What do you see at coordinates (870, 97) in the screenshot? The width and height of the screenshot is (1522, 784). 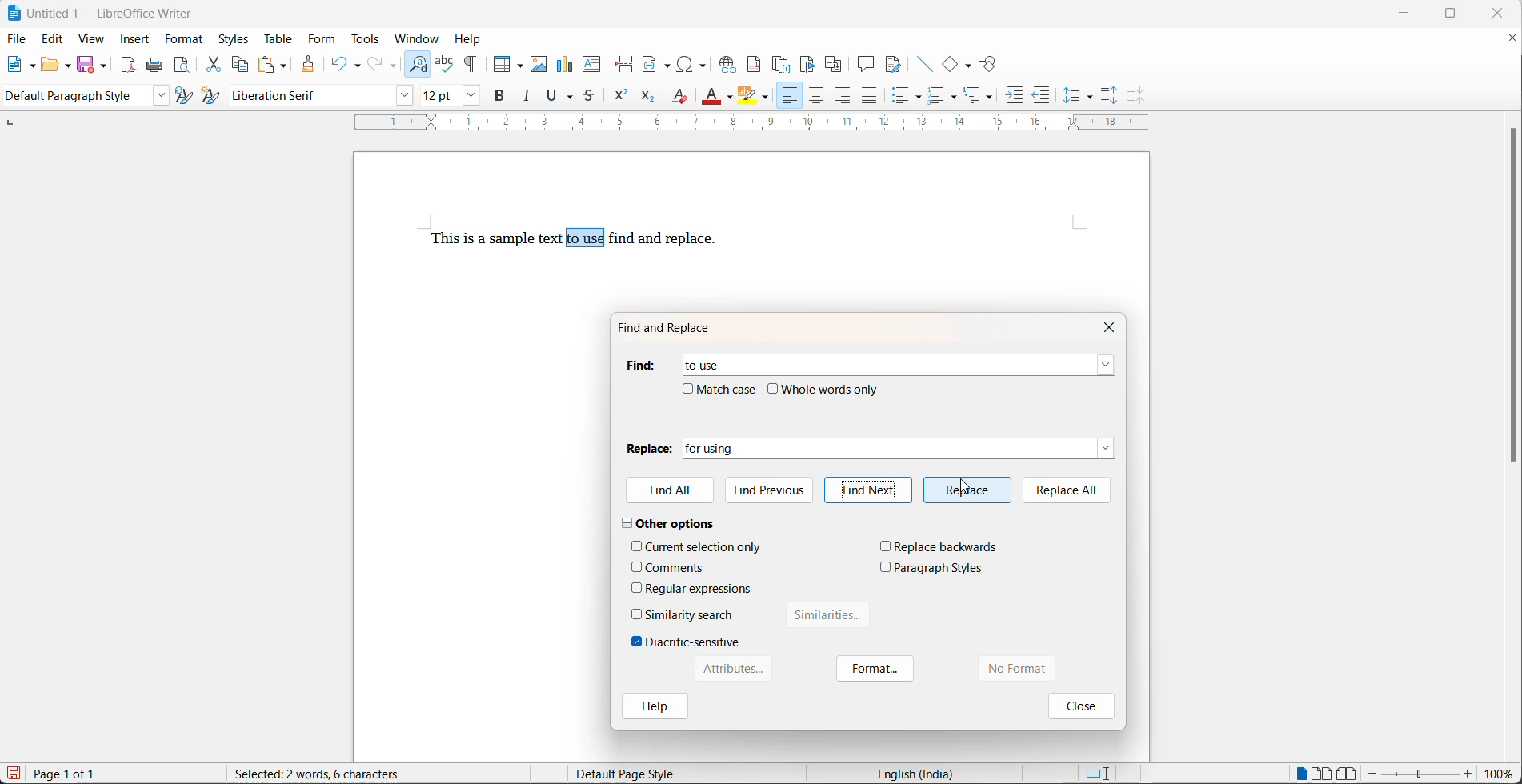 I see `justified` at bounding box center [870, 97].